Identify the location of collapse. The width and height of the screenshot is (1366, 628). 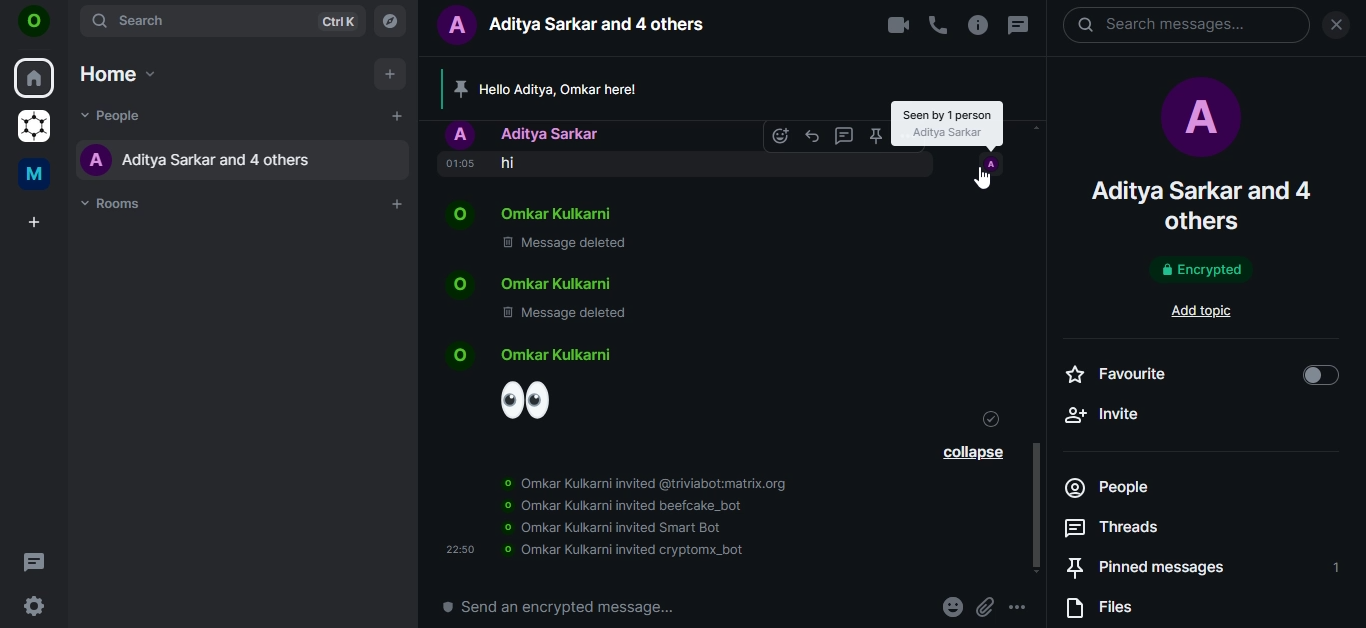
(967, 452).